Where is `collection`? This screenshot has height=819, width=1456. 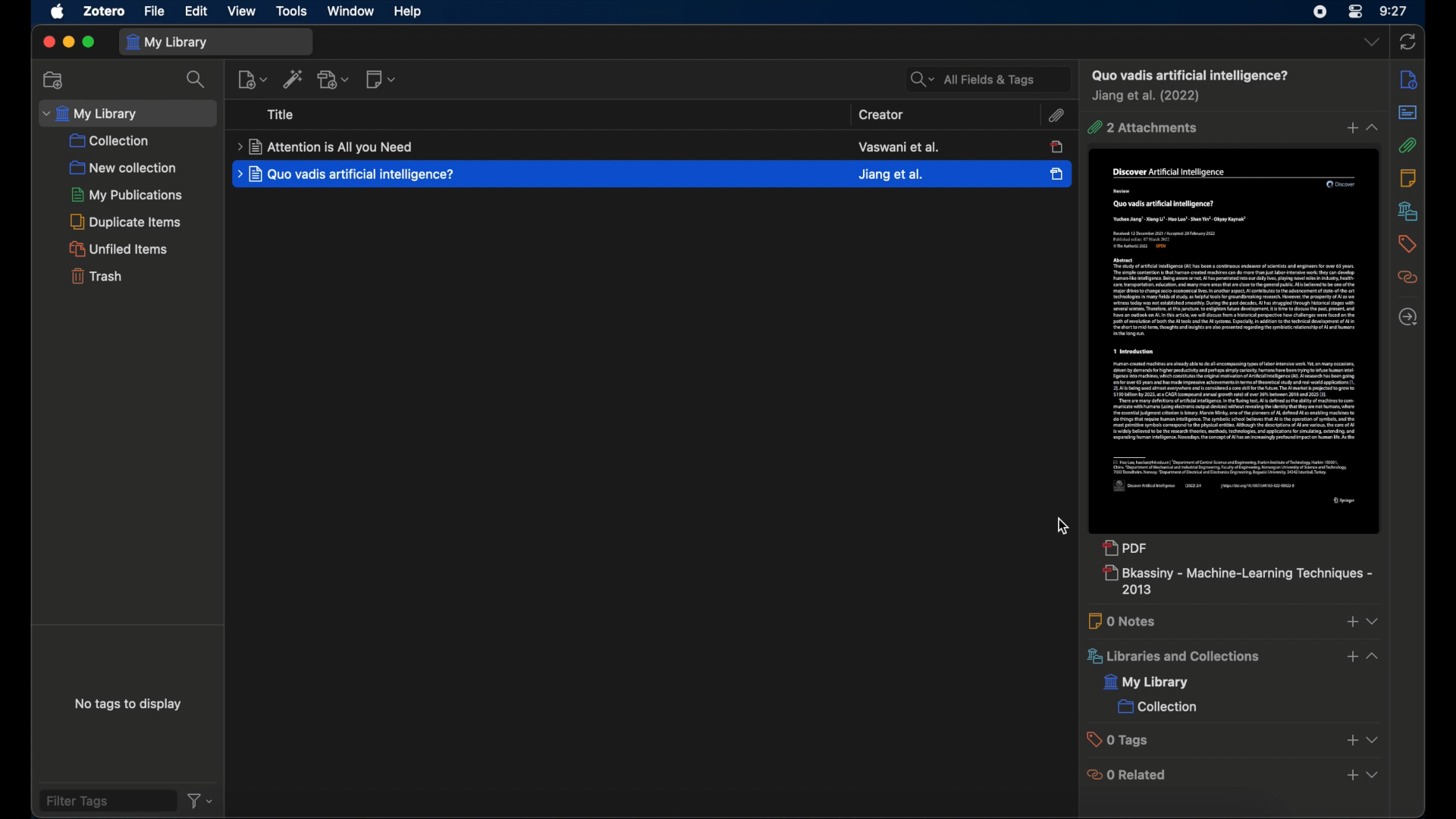
collection is located at coordinates (111, 141).